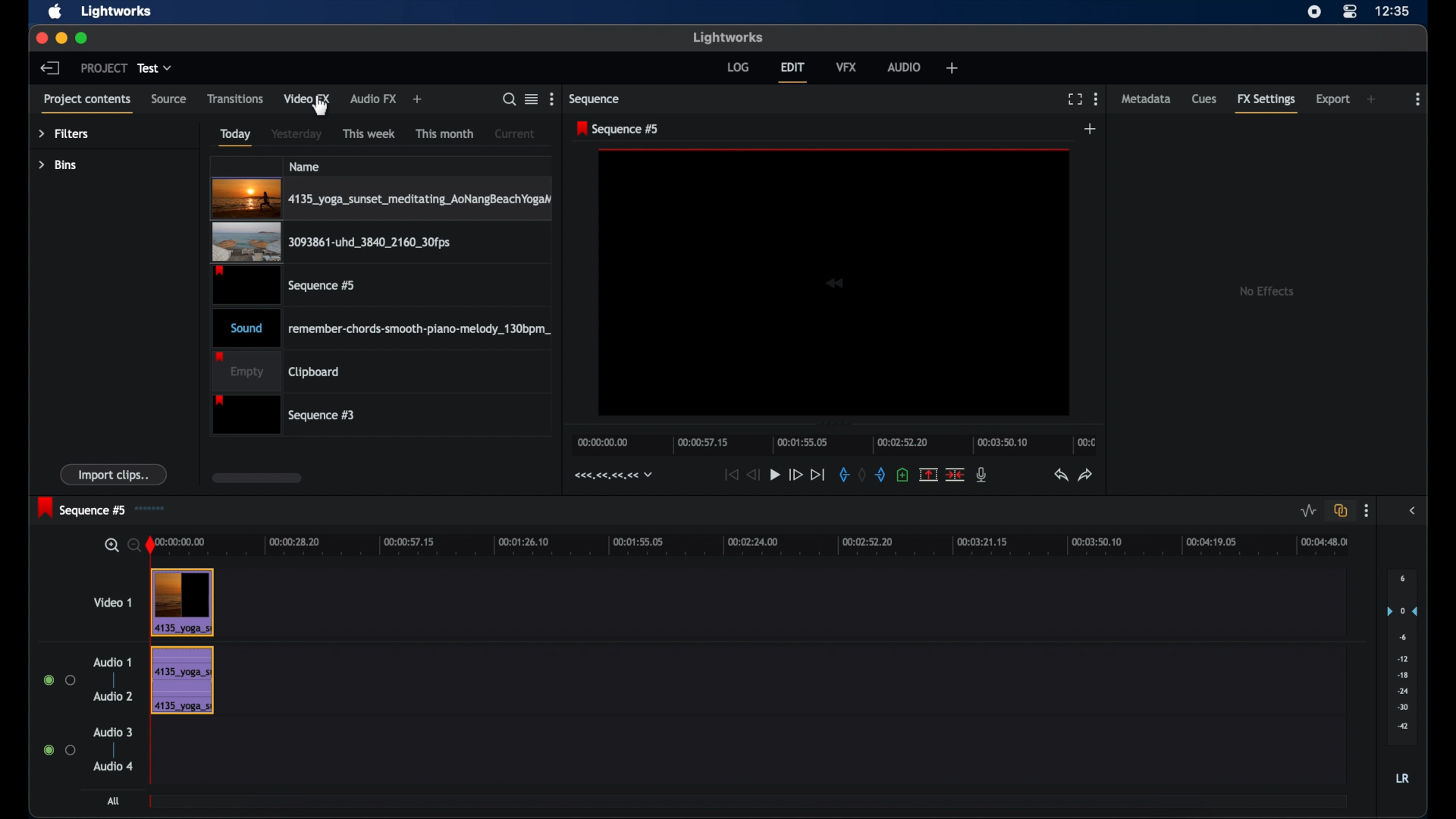  Describe the element at coordinates (1266, 105) in the screenshot. I see `fx settings` at that location.